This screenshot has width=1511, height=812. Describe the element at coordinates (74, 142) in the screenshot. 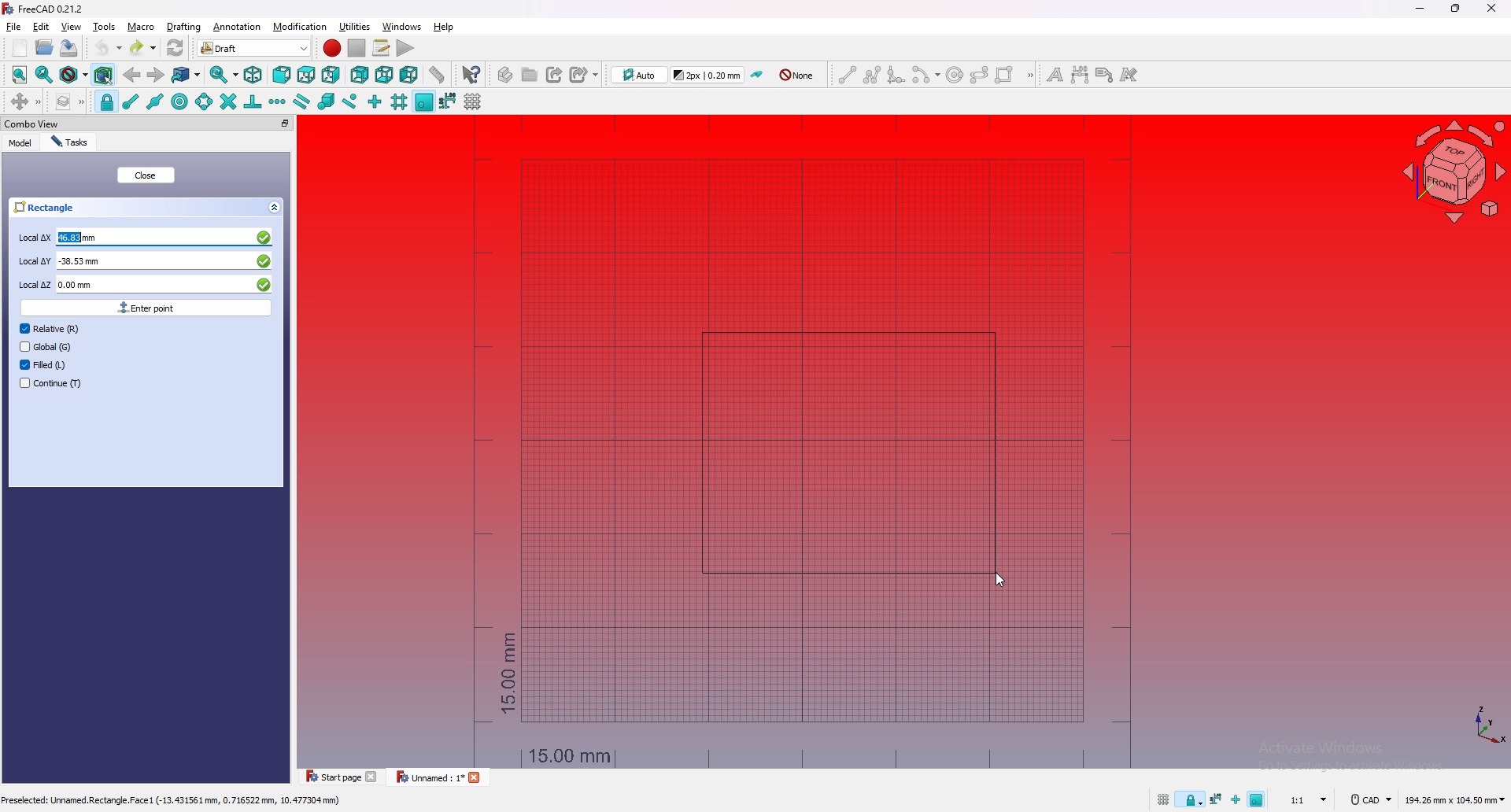

I see `tasks` at that location.